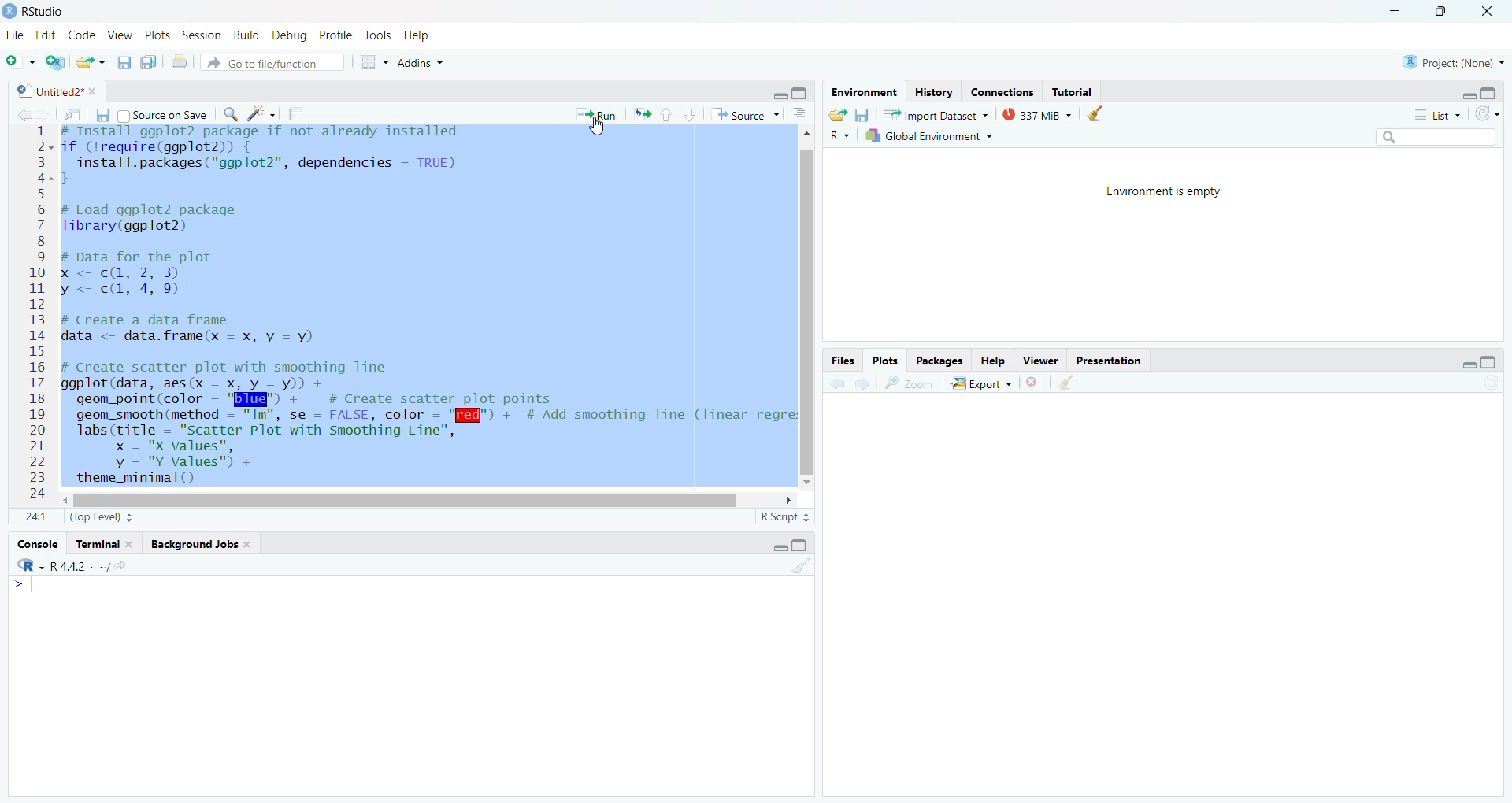 Image resolution: width=1512 pixels, height=803 pixels. Describe the element at coordinates (376, 37) in the screenshot. I see `Tools` at that location.